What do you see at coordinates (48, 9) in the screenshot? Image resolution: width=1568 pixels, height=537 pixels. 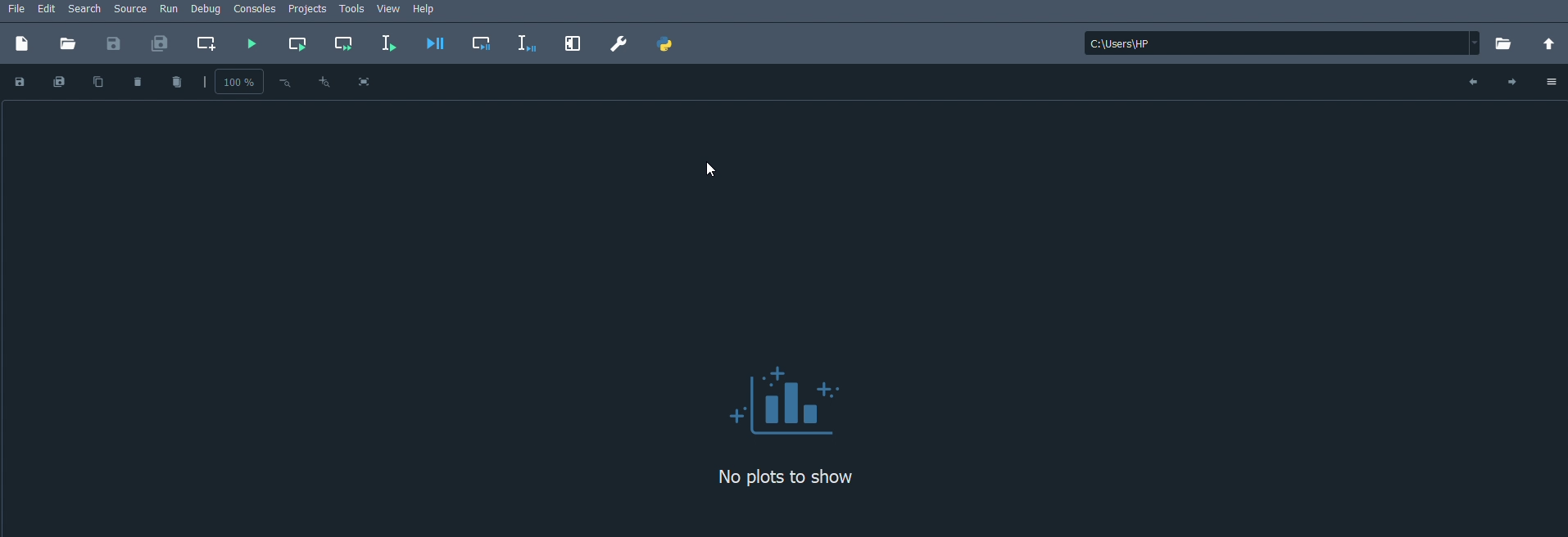 I see `Edit` at bounding box center [48, 9].